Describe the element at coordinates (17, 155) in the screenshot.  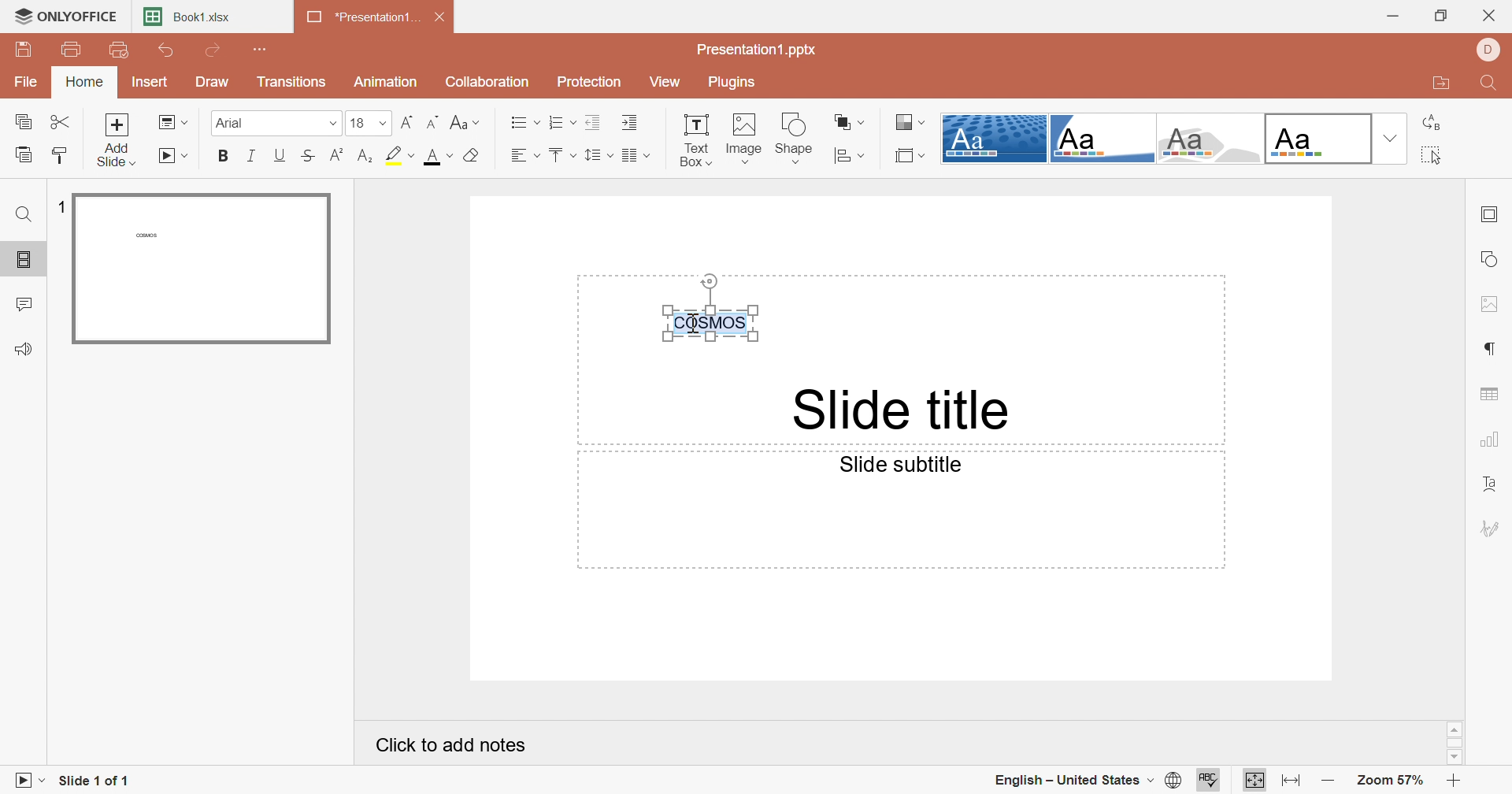
I see `Paste` at that location.